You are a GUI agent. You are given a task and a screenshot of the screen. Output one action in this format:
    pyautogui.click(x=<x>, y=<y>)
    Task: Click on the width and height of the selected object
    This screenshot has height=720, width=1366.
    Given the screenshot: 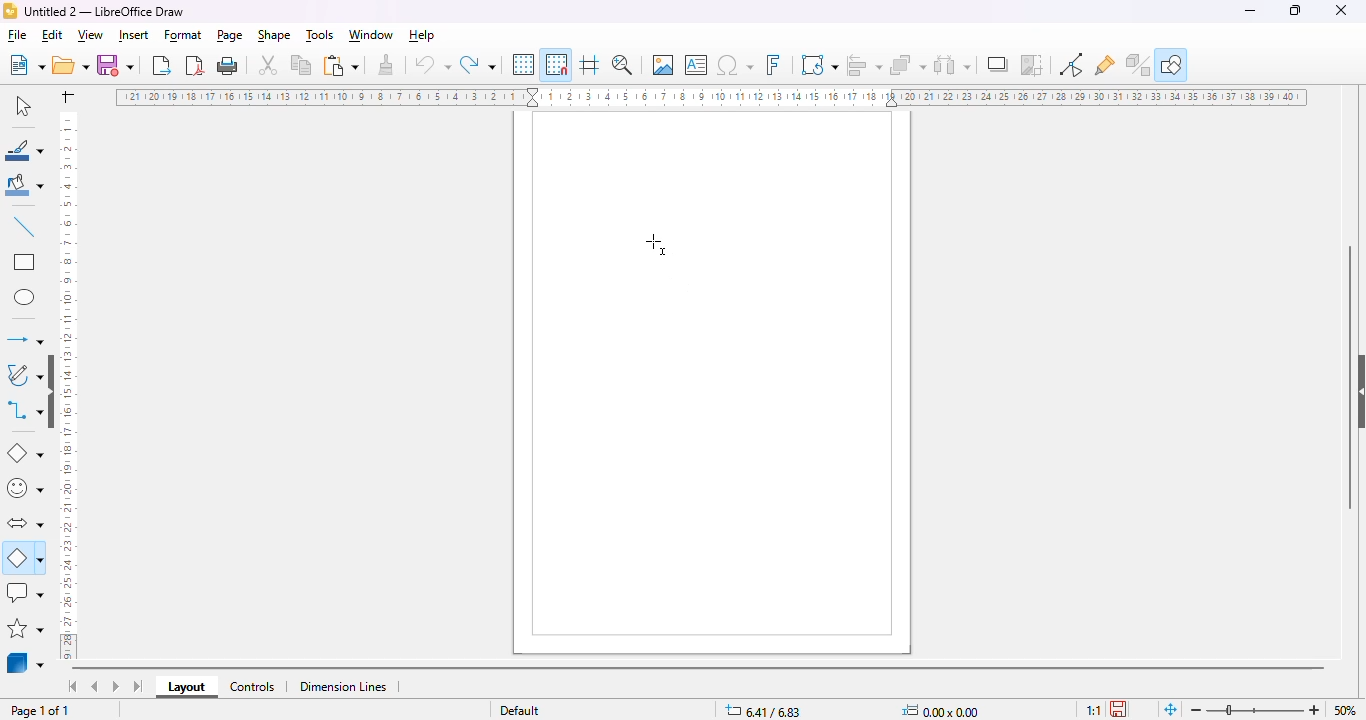 What is the action you would take?
    pyautogui.click(x=942, y=710)
    